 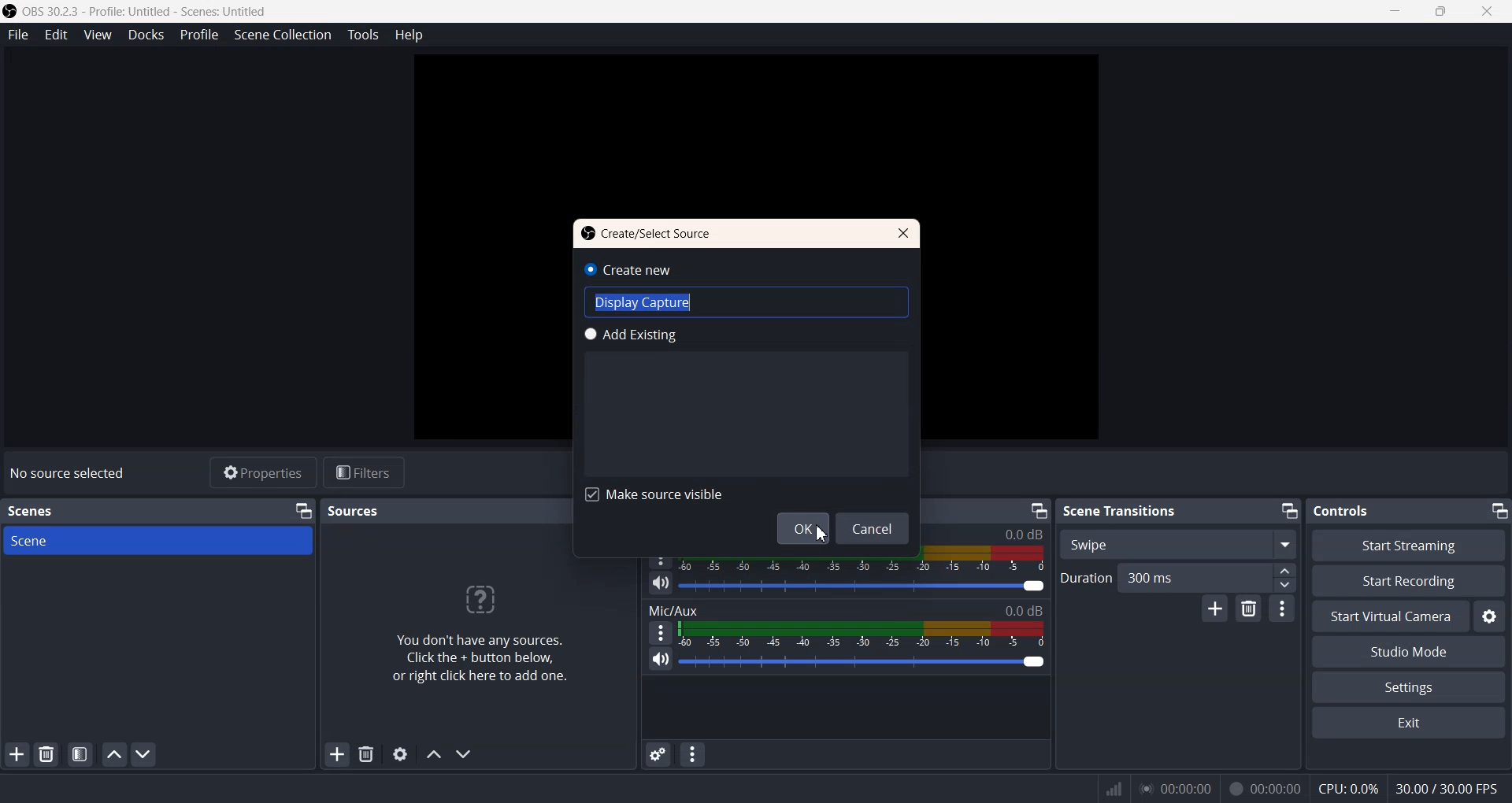 What do you see at coordinates (1214, 609) in the screenshot?
I see `Add Configurable transition` at bounding box center [1214, 609].